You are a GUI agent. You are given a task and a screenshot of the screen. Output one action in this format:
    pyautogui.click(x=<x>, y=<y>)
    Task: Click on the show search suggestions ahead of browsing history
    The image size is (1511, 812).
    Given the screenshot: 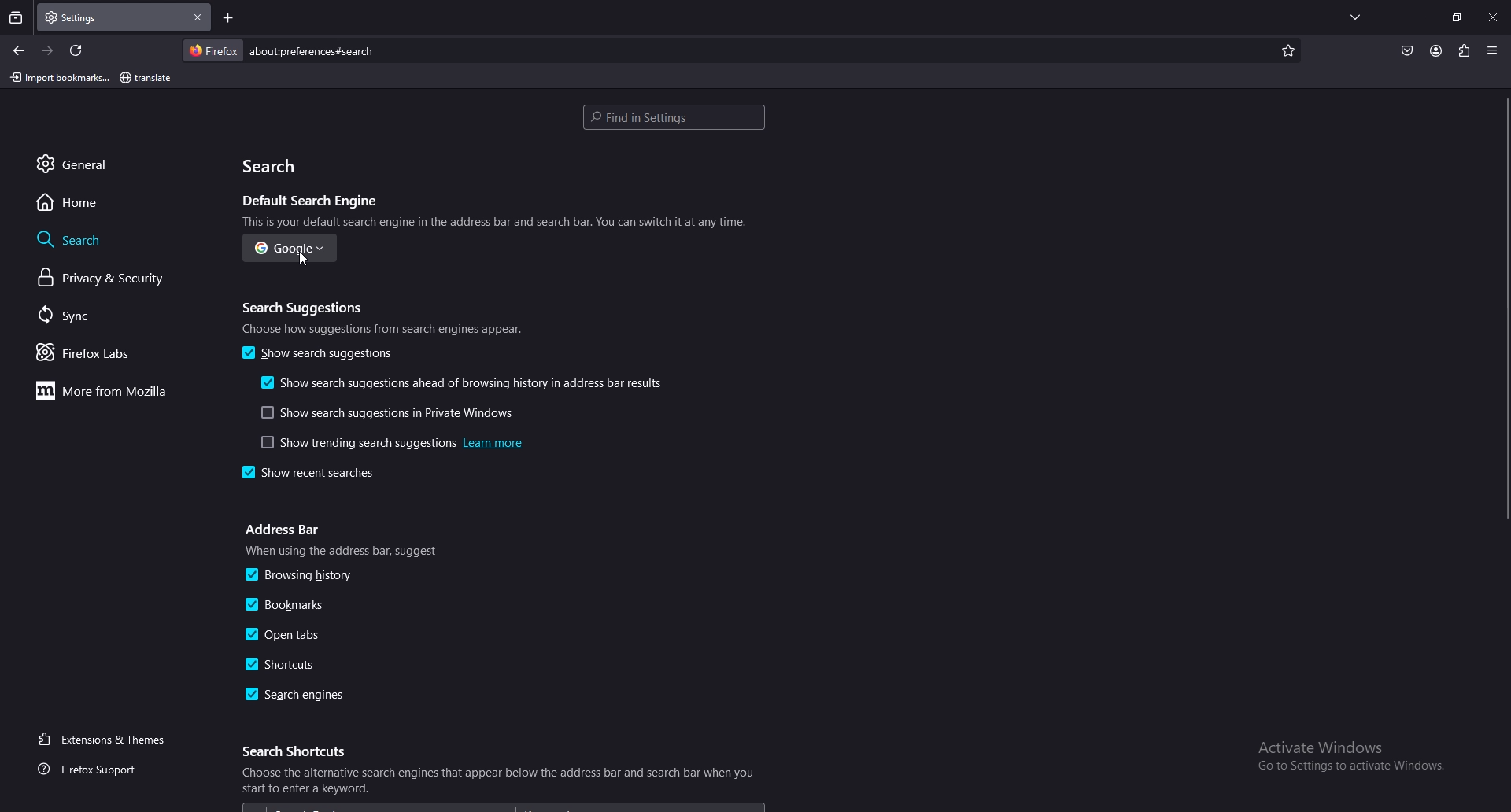 What is the action you would take?
    pyautogui.click(x=464, y=382)
    